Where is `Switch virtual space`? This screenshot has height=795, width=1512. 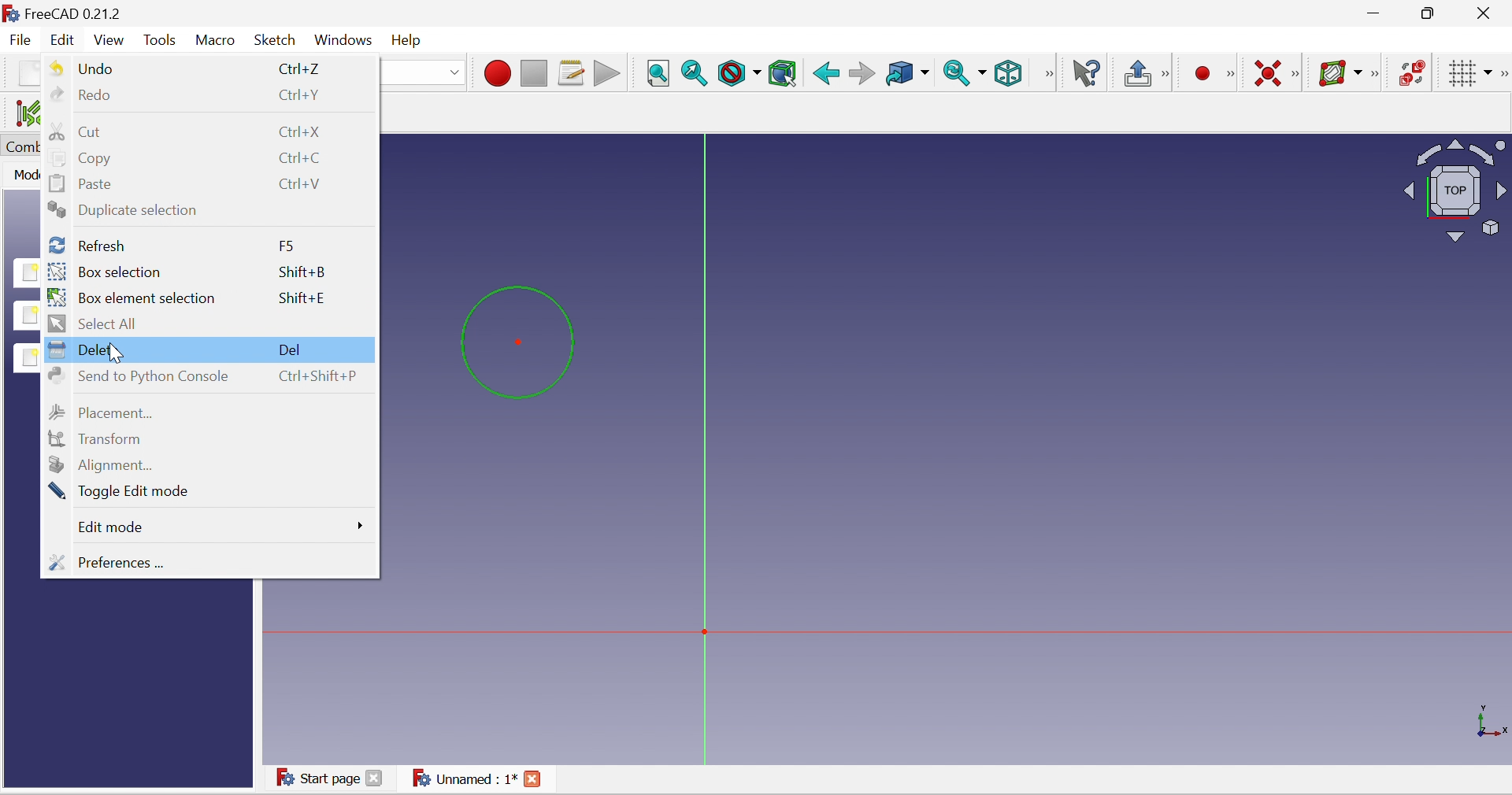 Switch virtual space is located at coordinates (1413, 72).